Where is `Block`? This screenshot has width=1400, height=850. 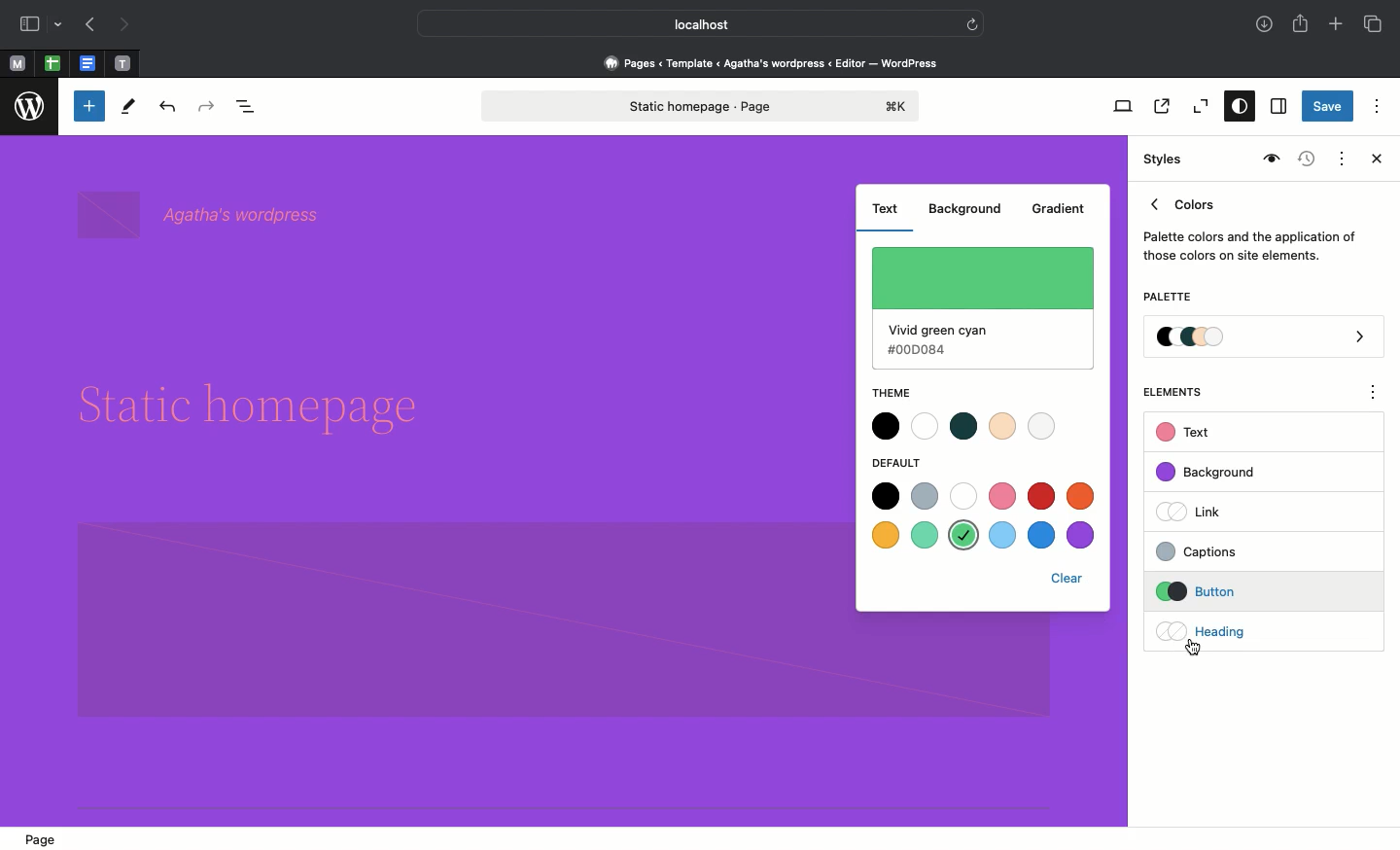
Block is located at coordinates (451, 621).